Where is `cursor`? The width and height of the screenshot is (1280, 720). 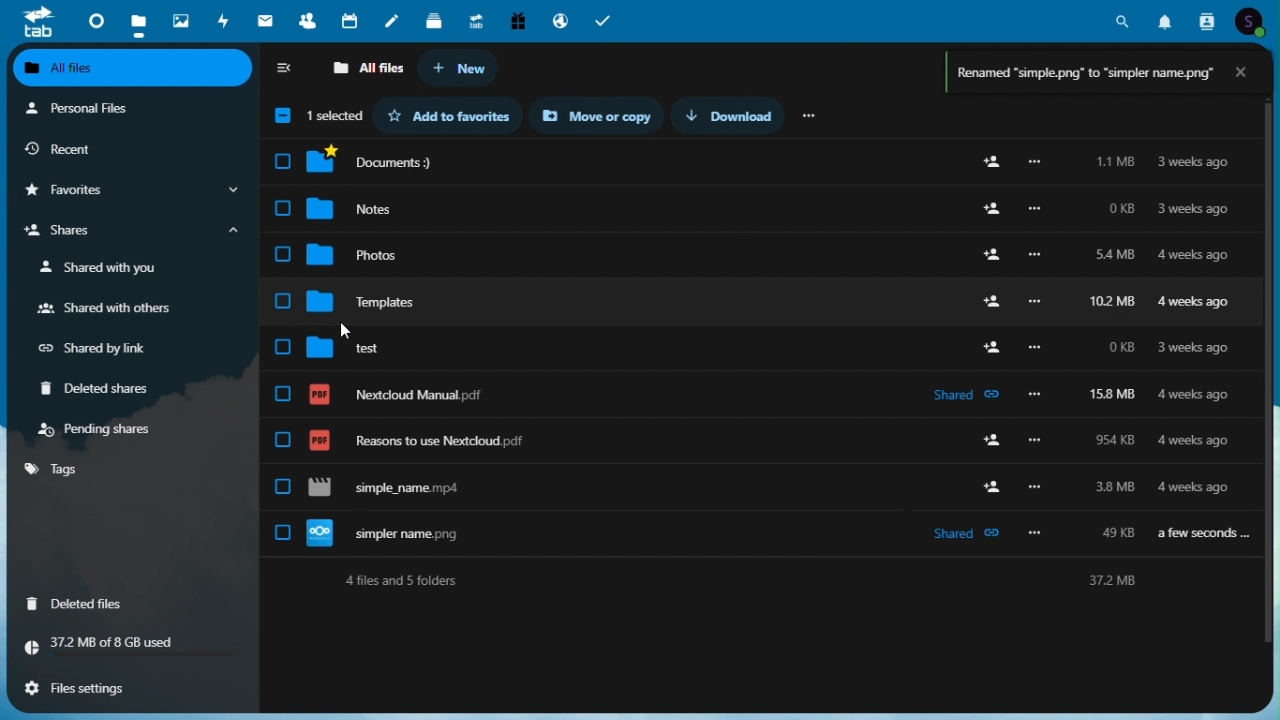
cursor is located at coordinates (354, 334).